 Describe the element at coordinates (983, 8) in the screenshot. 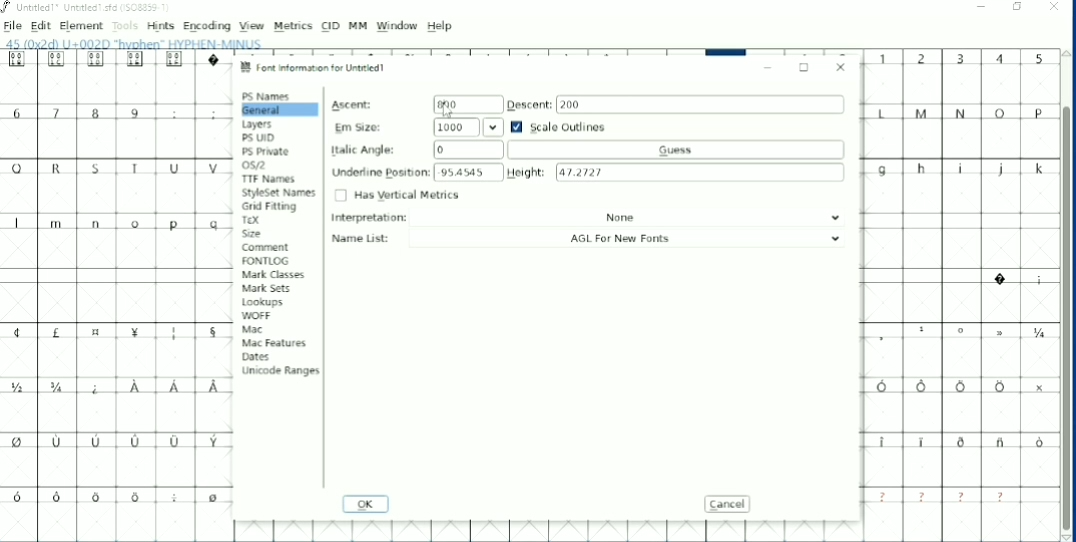

I see `Minimize` at that location.